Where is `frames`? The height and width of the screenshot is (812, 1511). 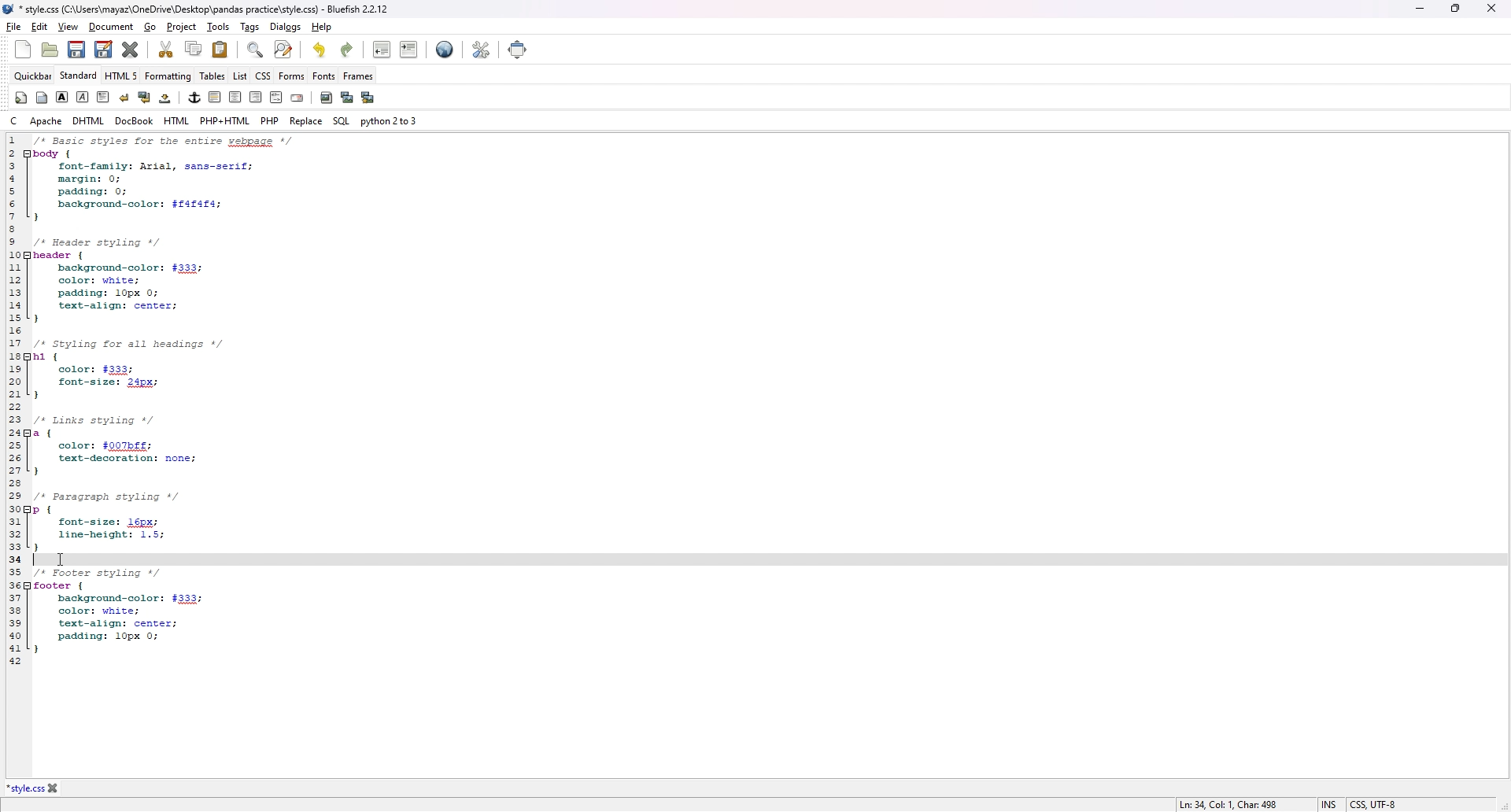
frames is located at coordinates (359, 76).